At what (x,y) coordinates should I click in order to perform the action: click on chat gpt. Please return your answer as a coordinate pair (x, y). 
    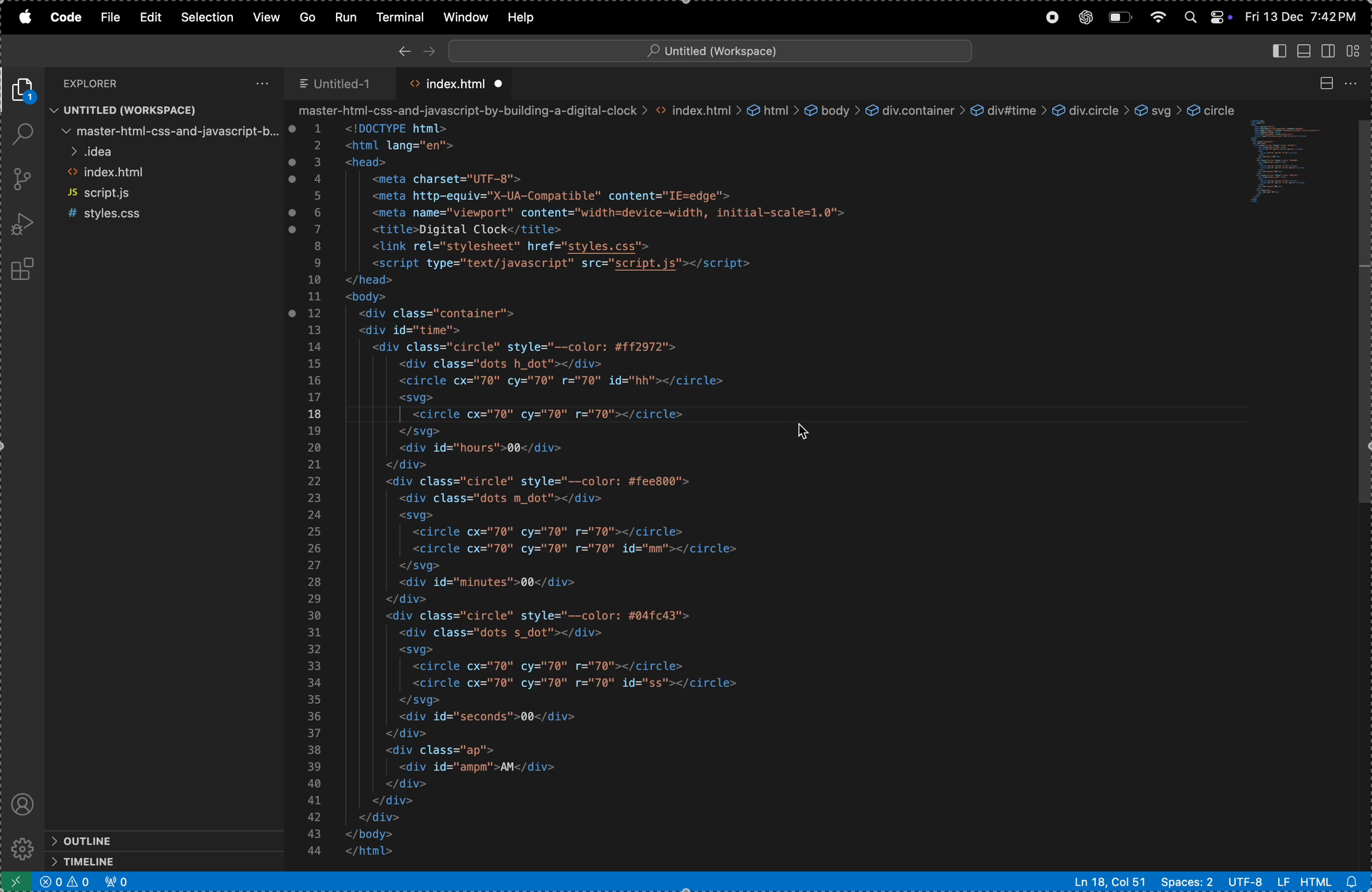
    Looking at the image, I should click on (1085, 17).